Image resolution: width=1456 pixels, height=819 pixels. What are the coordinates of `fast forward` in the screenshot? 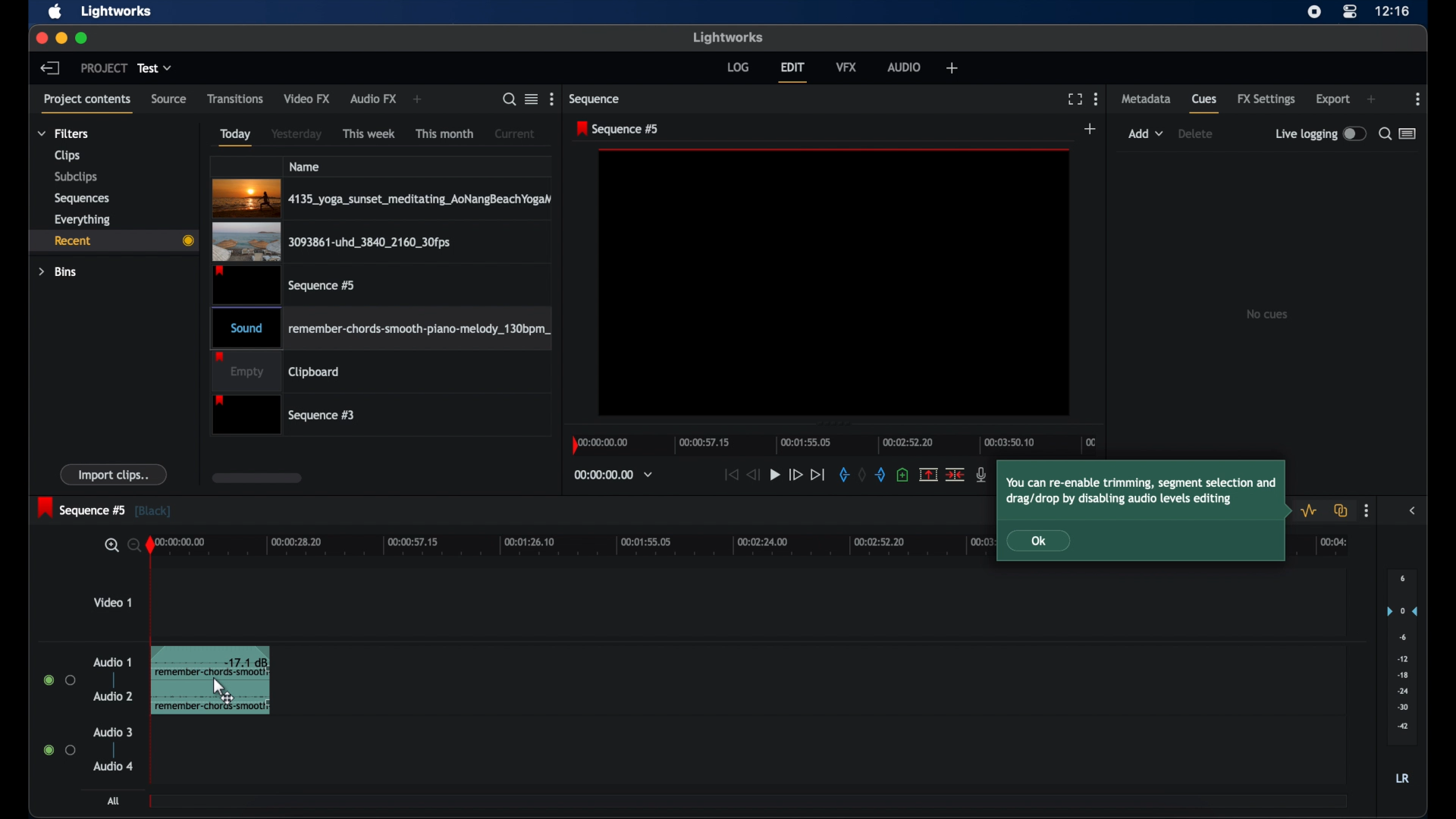 It's located at (795, 475).